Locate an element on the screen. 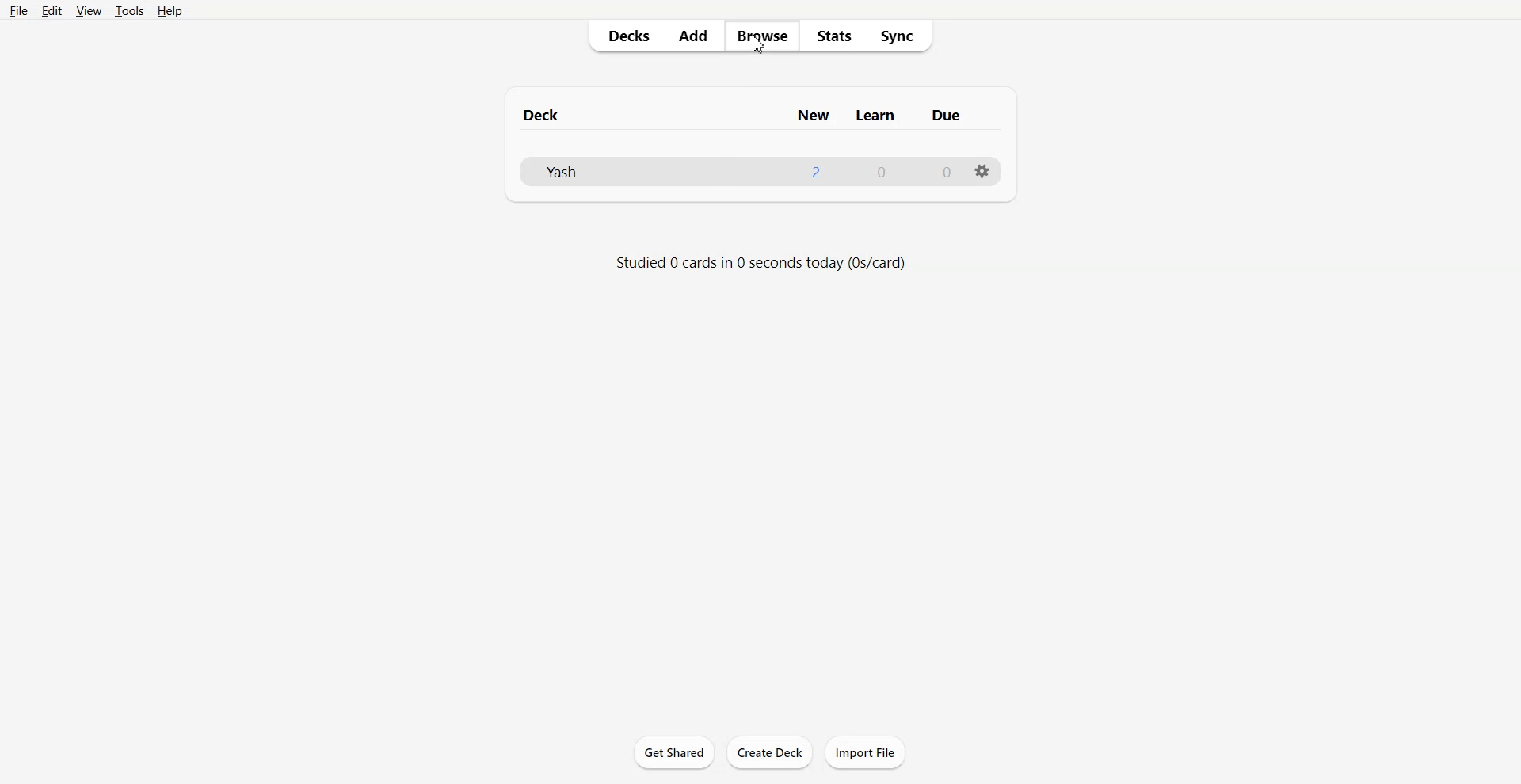 The image size is (1521, 784). Learn is located at coordinates (882, 114).